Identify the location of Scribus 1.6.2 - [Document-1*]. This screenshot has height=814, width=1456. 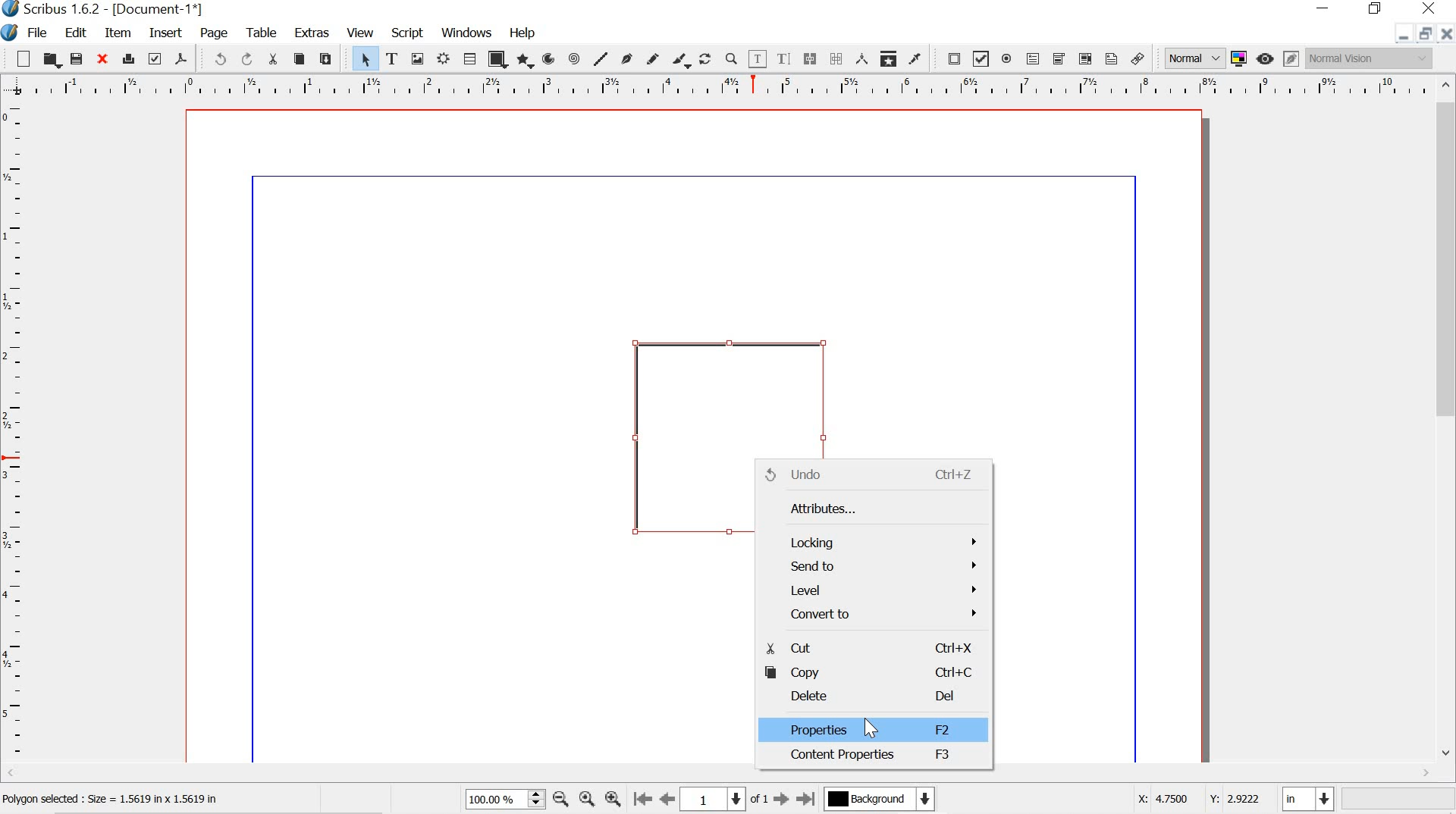
(124, 9).